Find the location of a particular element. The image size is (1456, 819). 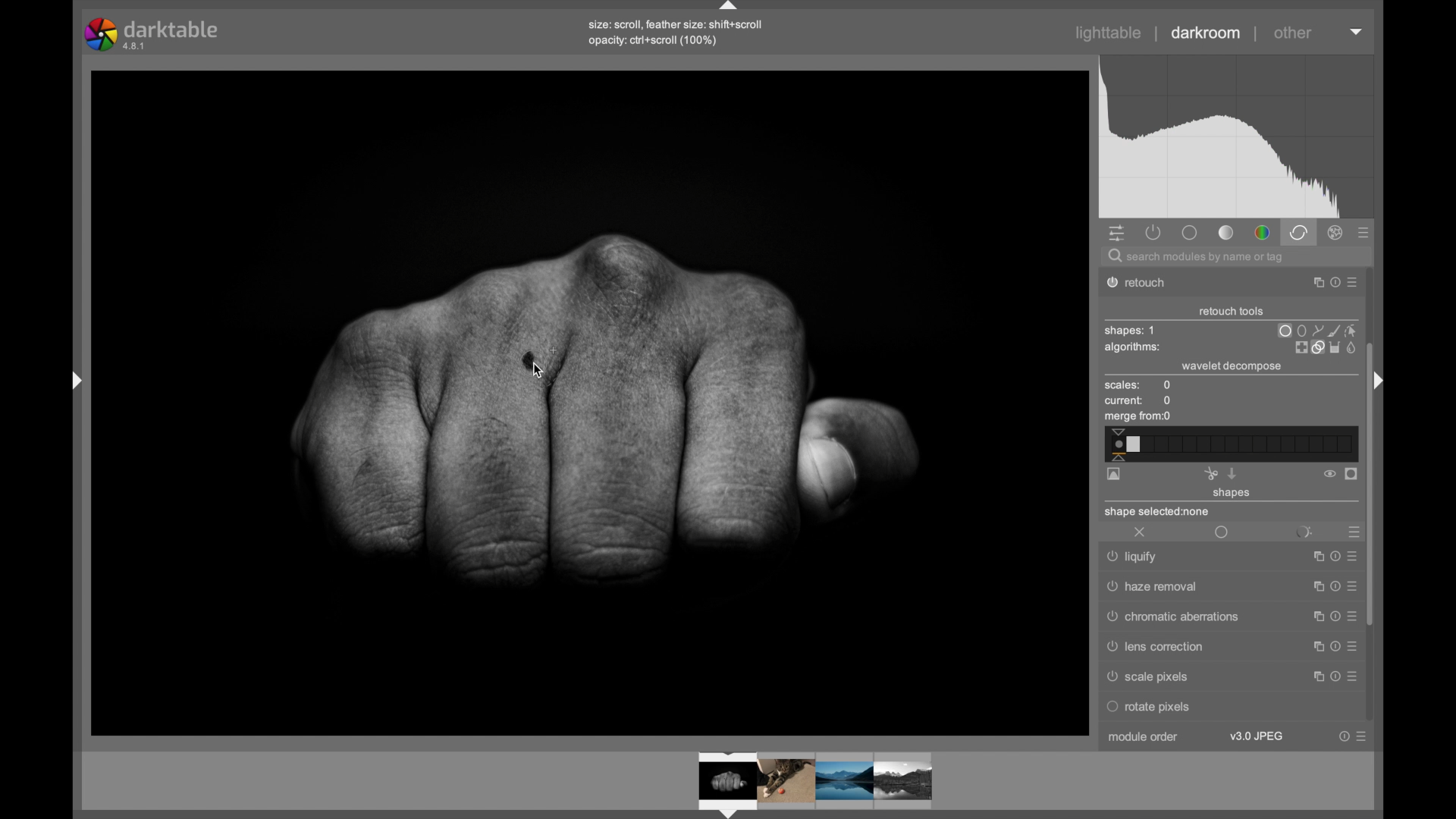

help is located at coordinates (1332, 283).